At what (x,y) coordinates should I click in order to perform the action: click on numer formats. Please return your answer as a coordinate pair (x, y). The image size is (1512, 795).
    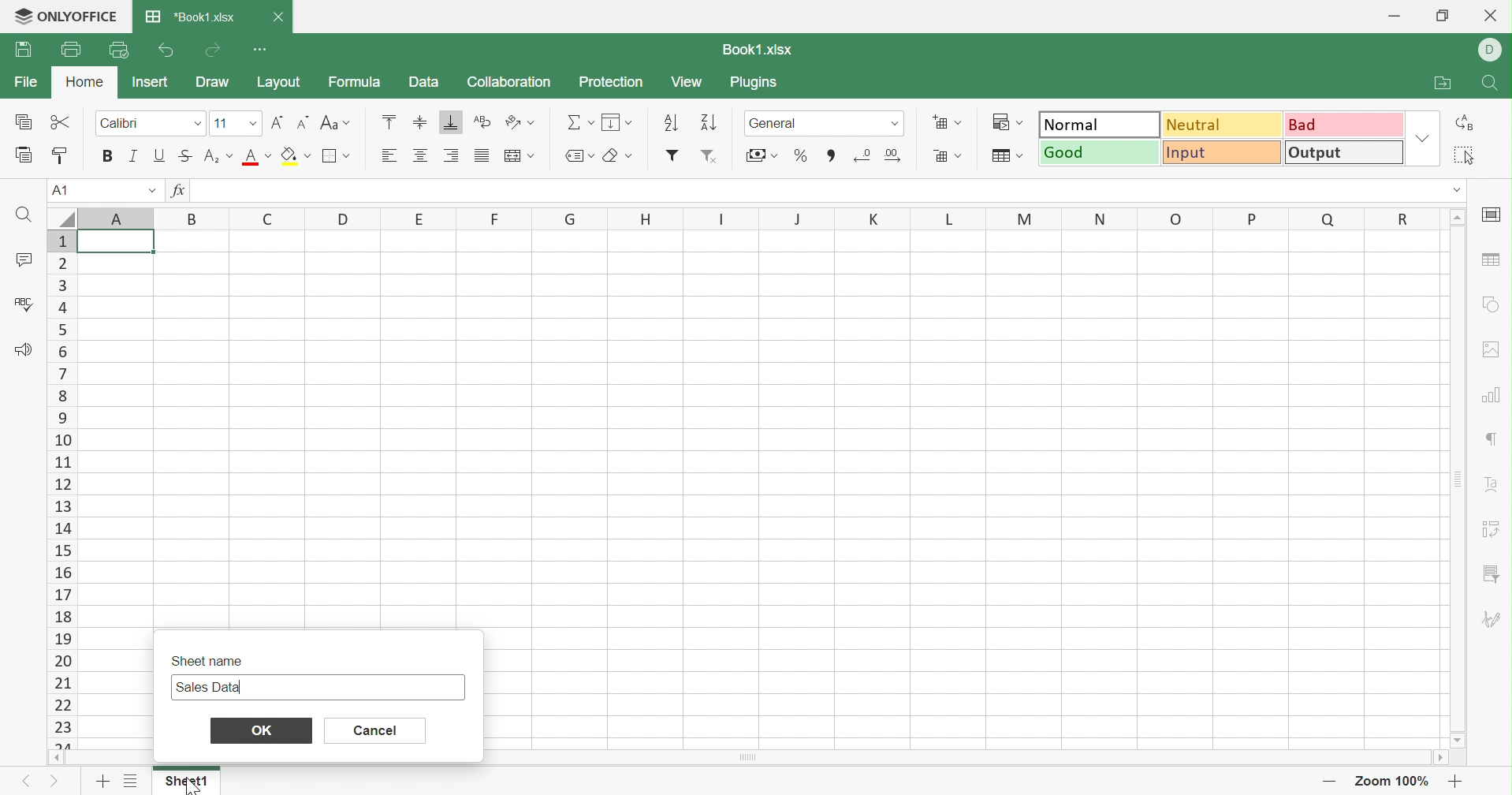
    Looking at the image, I should click on (889, 124).